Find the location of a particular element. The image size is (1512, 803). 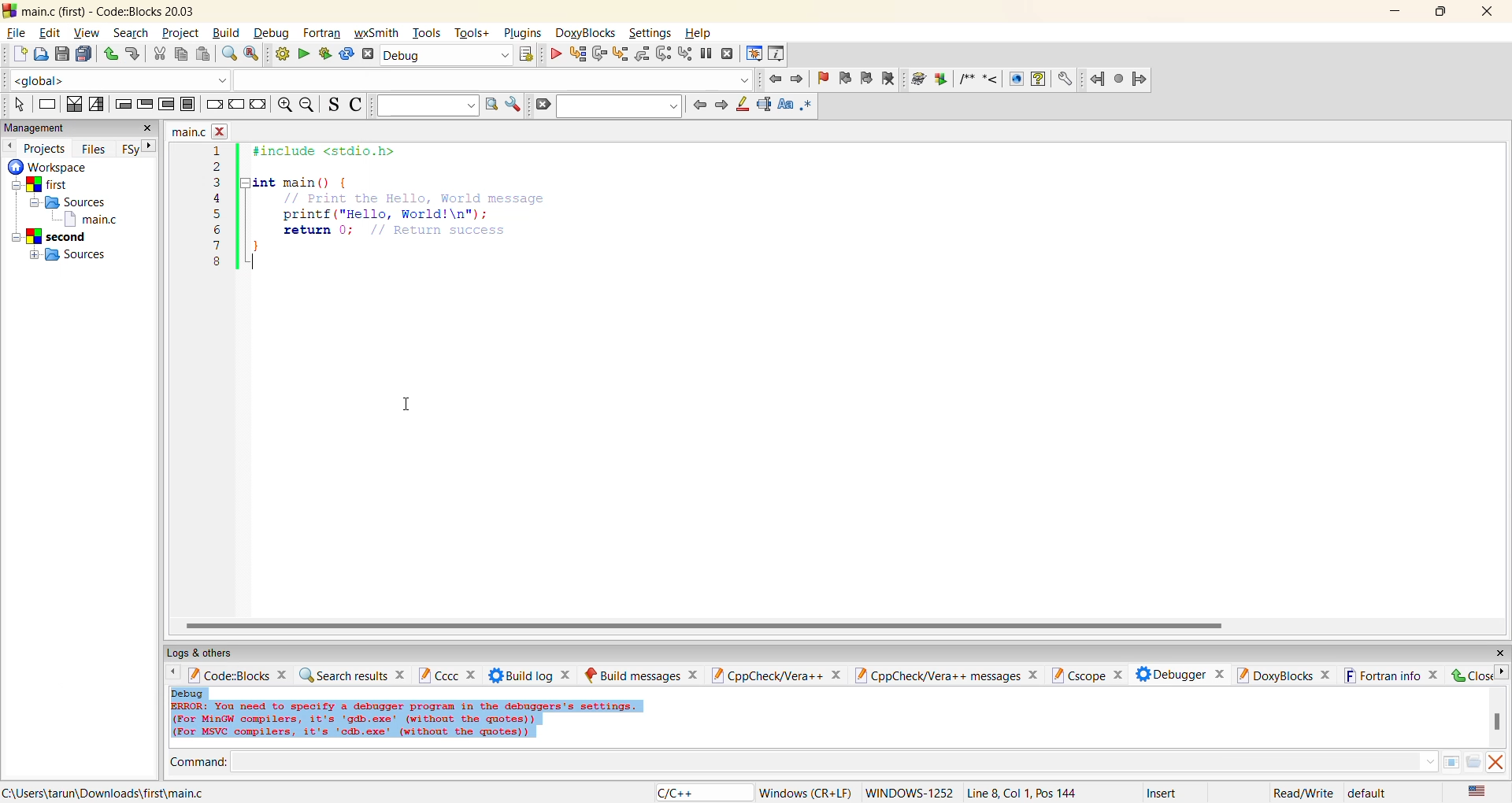

select is located at coordinates (18, 105).